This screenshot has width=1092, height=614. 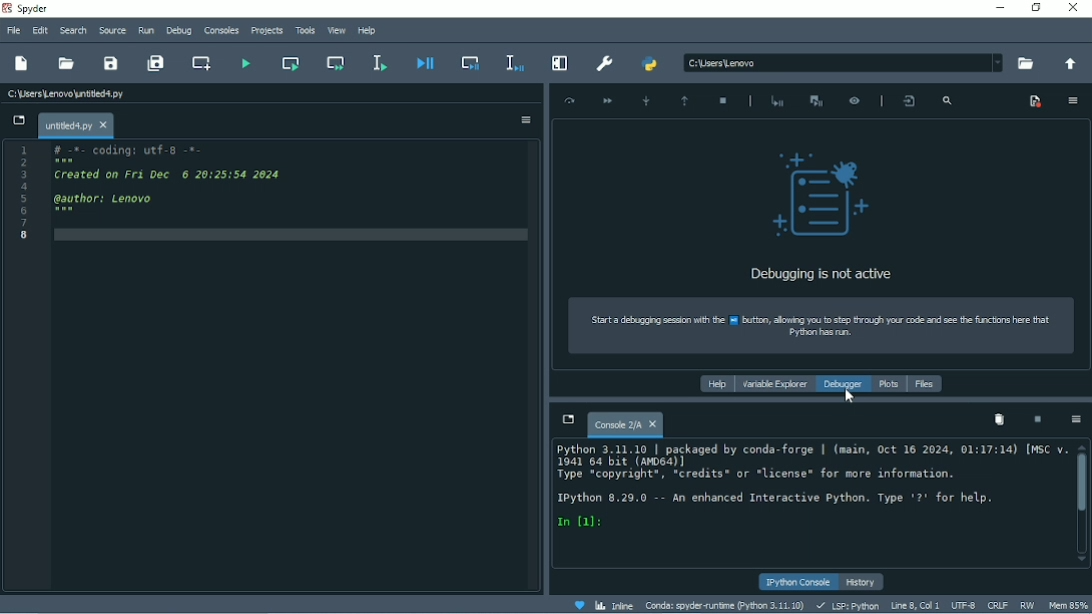 I want to click on Help, so click(x=717, y=384).